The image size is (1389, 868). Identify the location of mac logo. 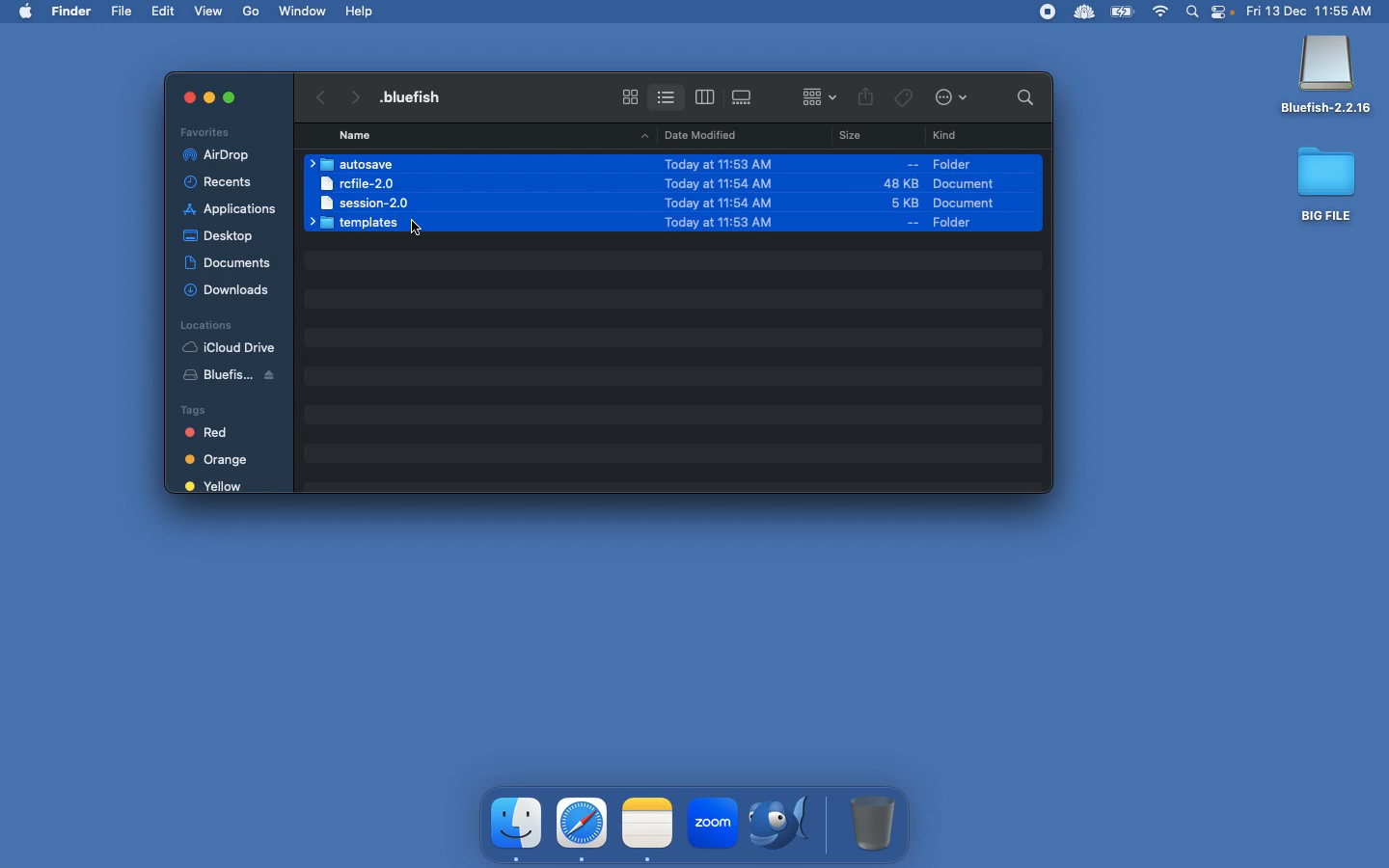
(25, 10).